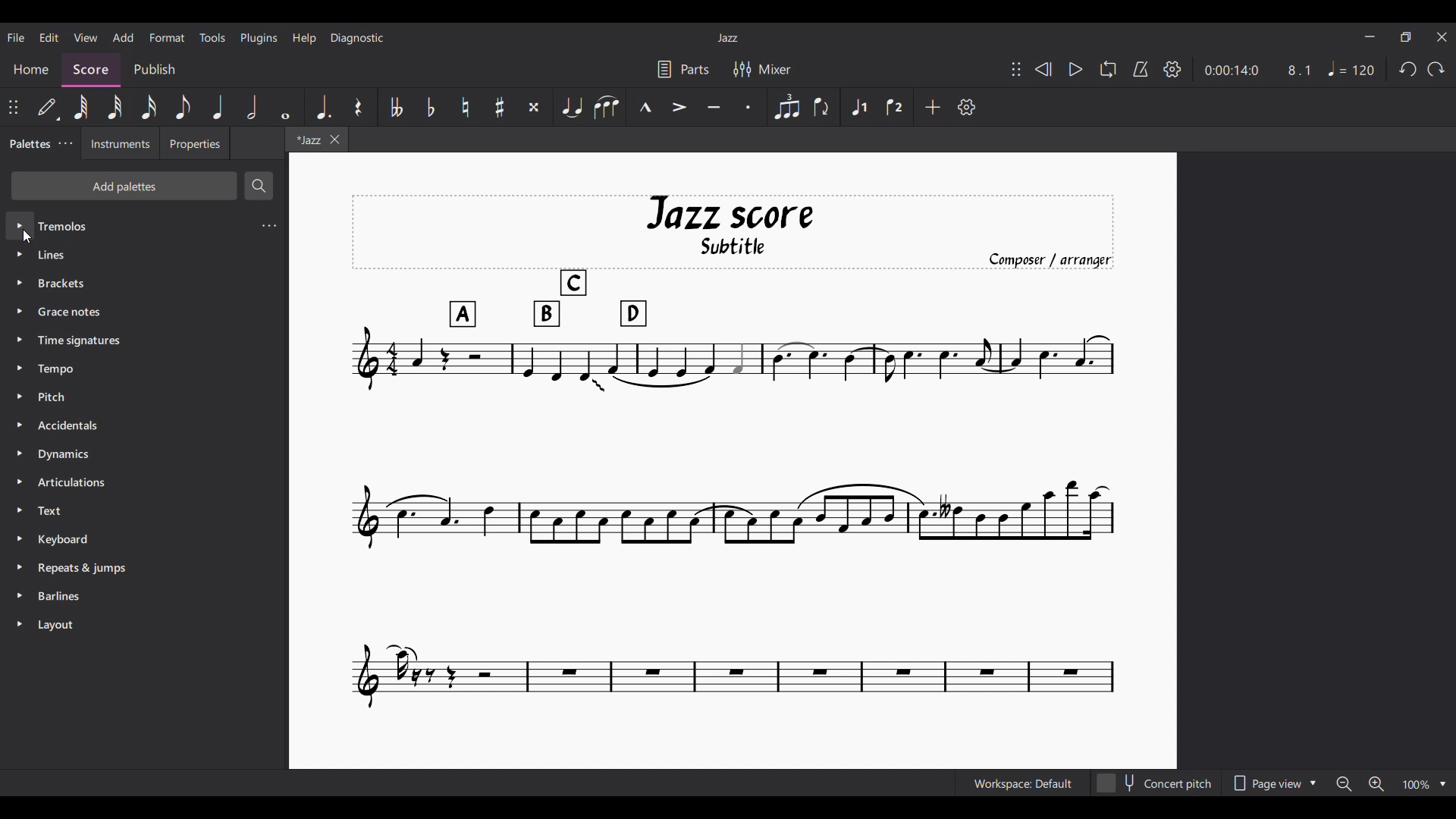 This screenshot has height=819, width=1456. Describe the element at coordinates (142, 510) in the screenshot. I see `Text` at that location.